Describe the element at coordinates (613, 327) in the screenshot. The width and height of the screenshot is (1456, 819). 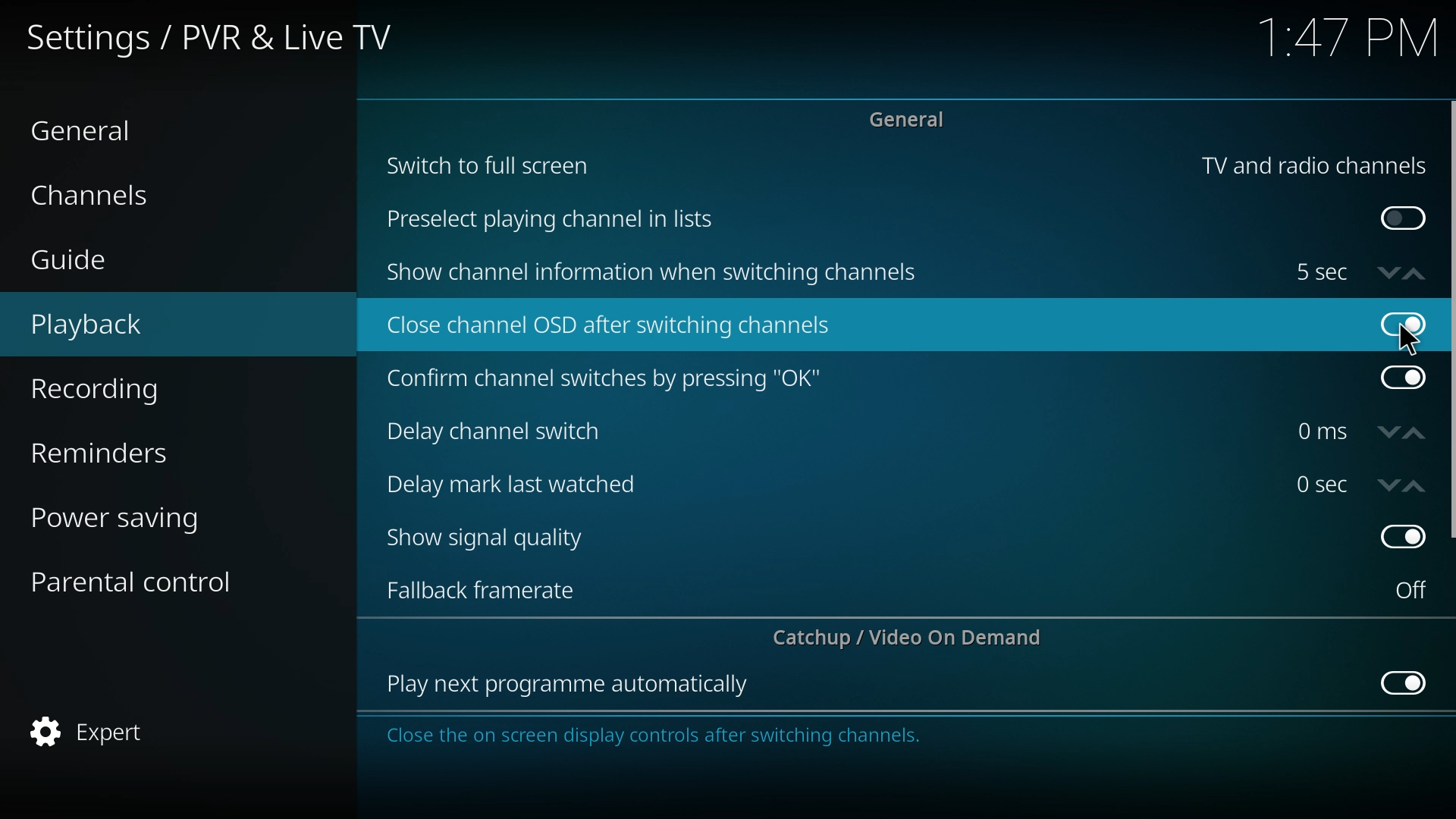
I see `close channel osd after switching channels` at that location.